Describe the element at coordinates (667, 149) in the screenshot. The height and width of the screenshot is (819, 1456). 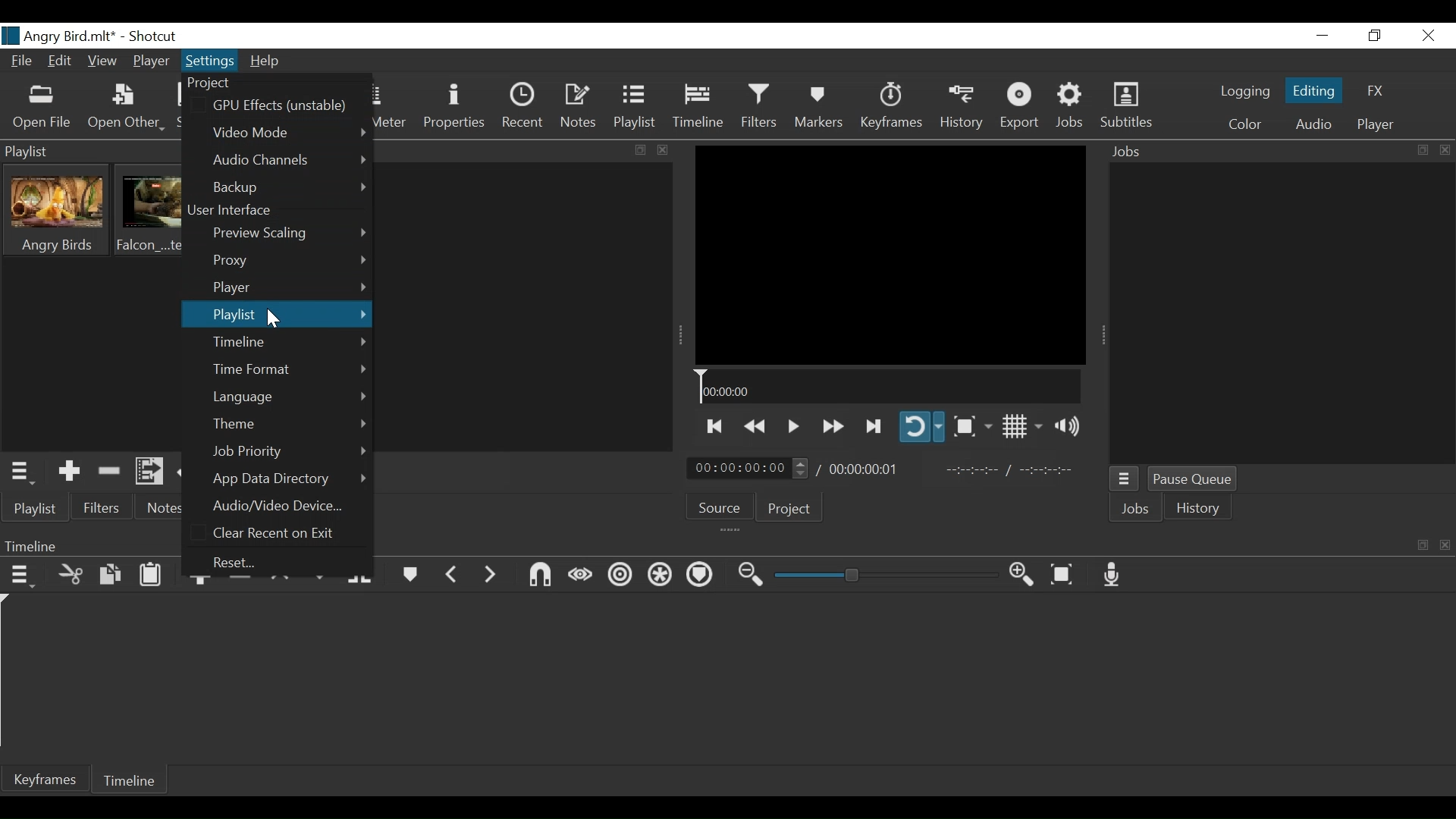
I see `close` at that location.